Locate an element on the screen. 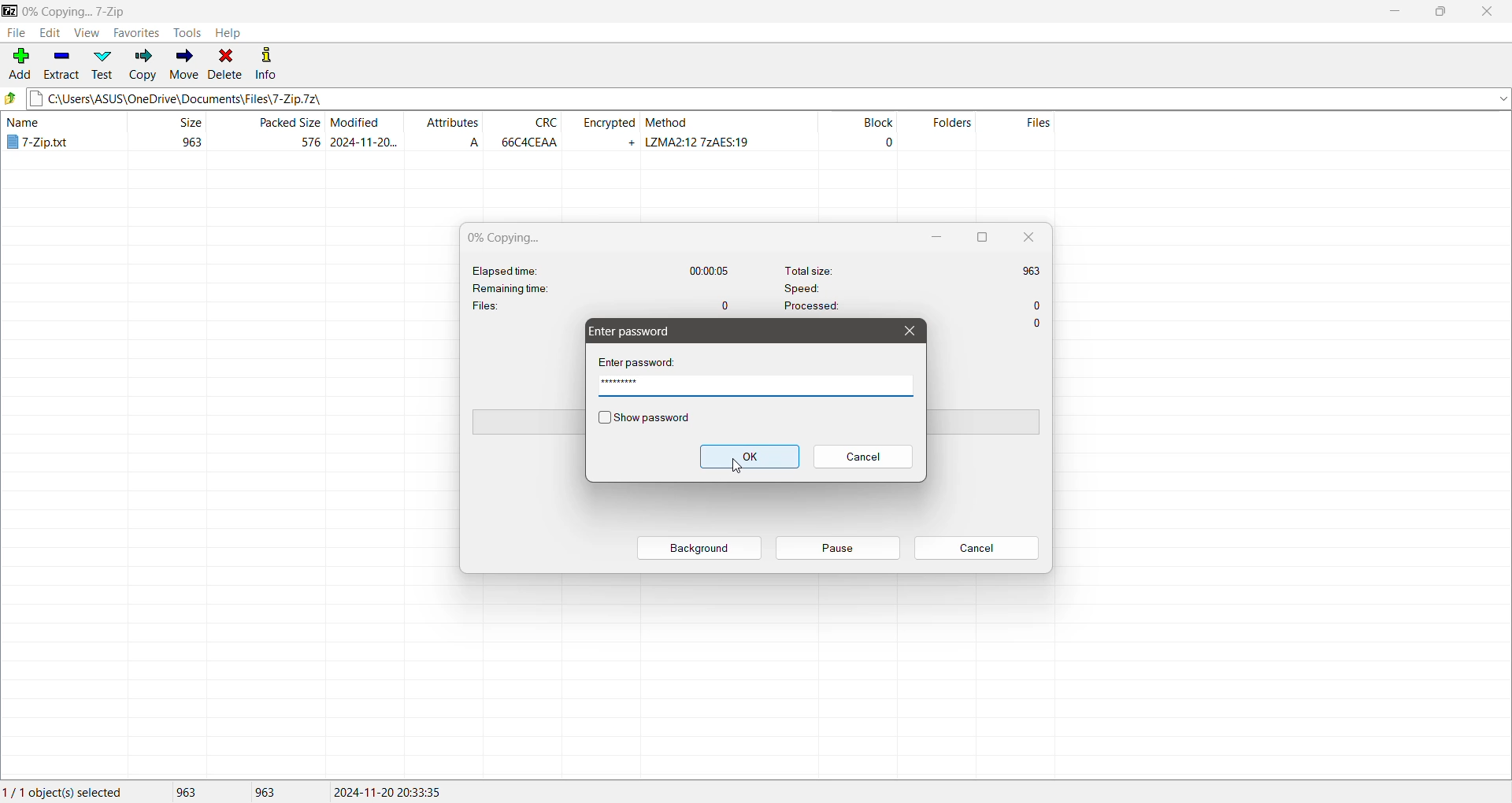  File is located at coordinates (14, 33).